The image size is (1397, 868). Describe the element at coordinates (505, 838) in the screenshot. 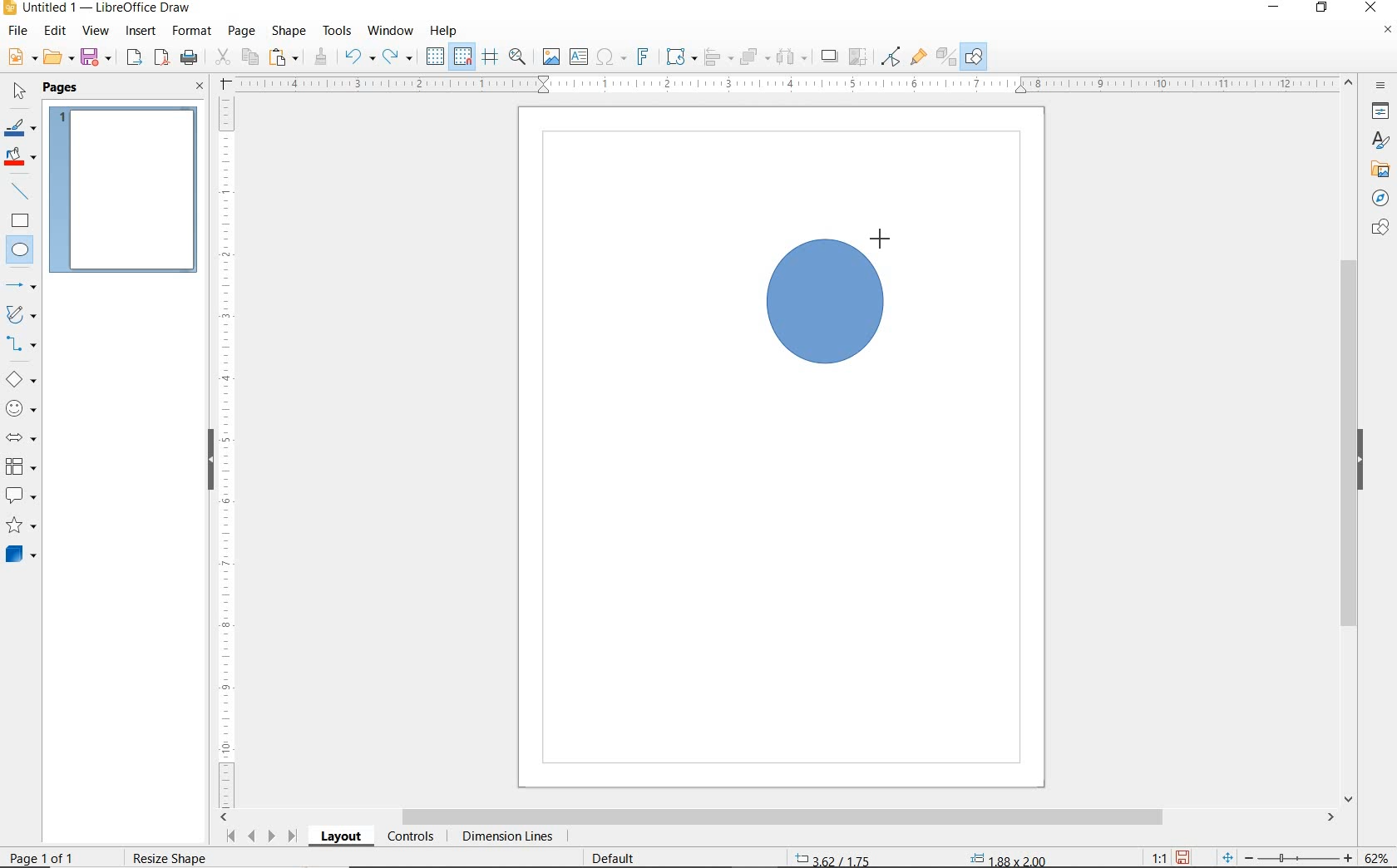

I see `DIMENSION LINES` at that location.